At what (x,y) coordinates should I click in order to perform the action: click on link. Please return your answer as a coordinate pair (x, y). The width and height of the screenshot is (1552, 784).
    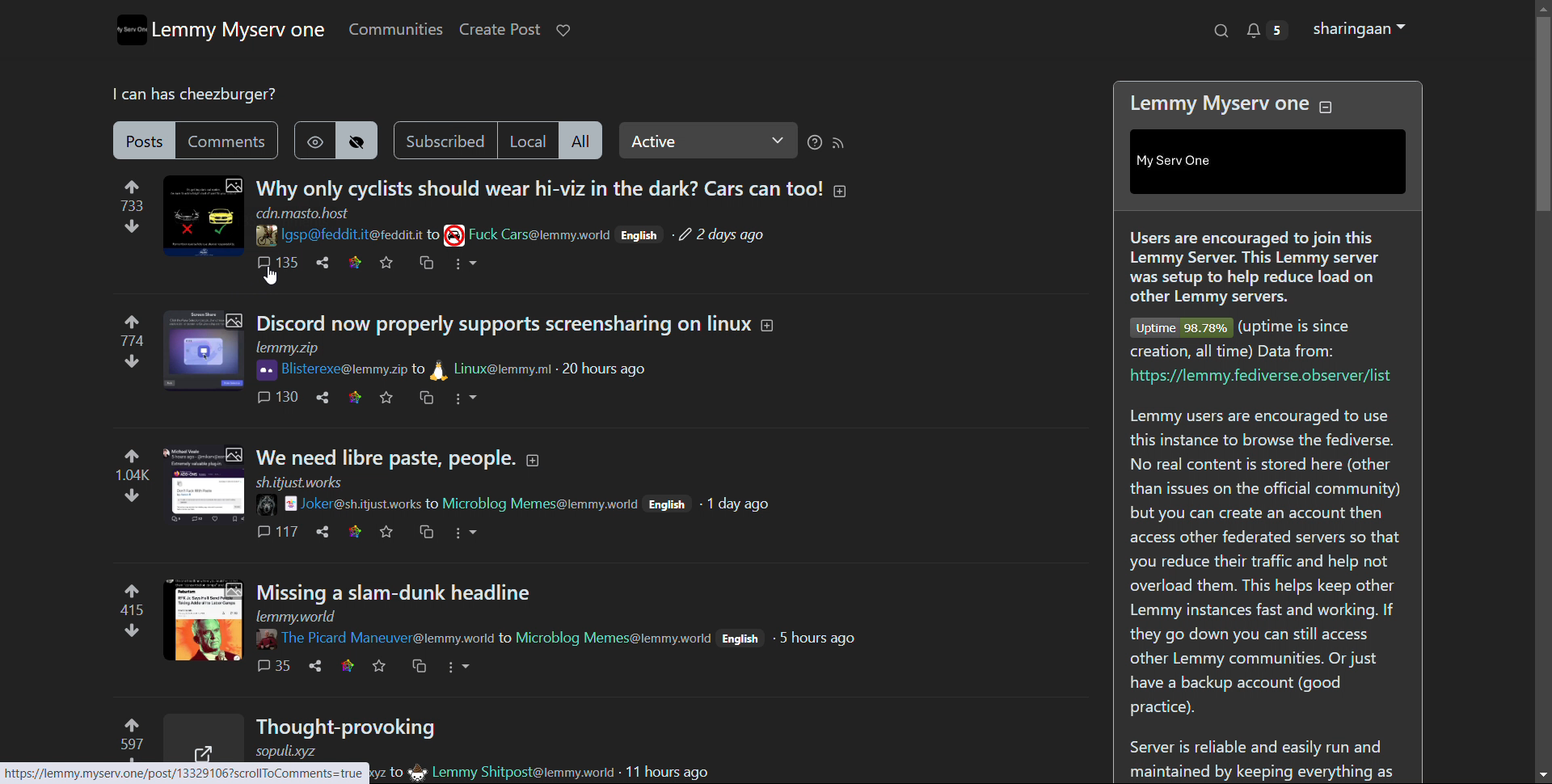
    Looking at the image, I should click on (355, 263).